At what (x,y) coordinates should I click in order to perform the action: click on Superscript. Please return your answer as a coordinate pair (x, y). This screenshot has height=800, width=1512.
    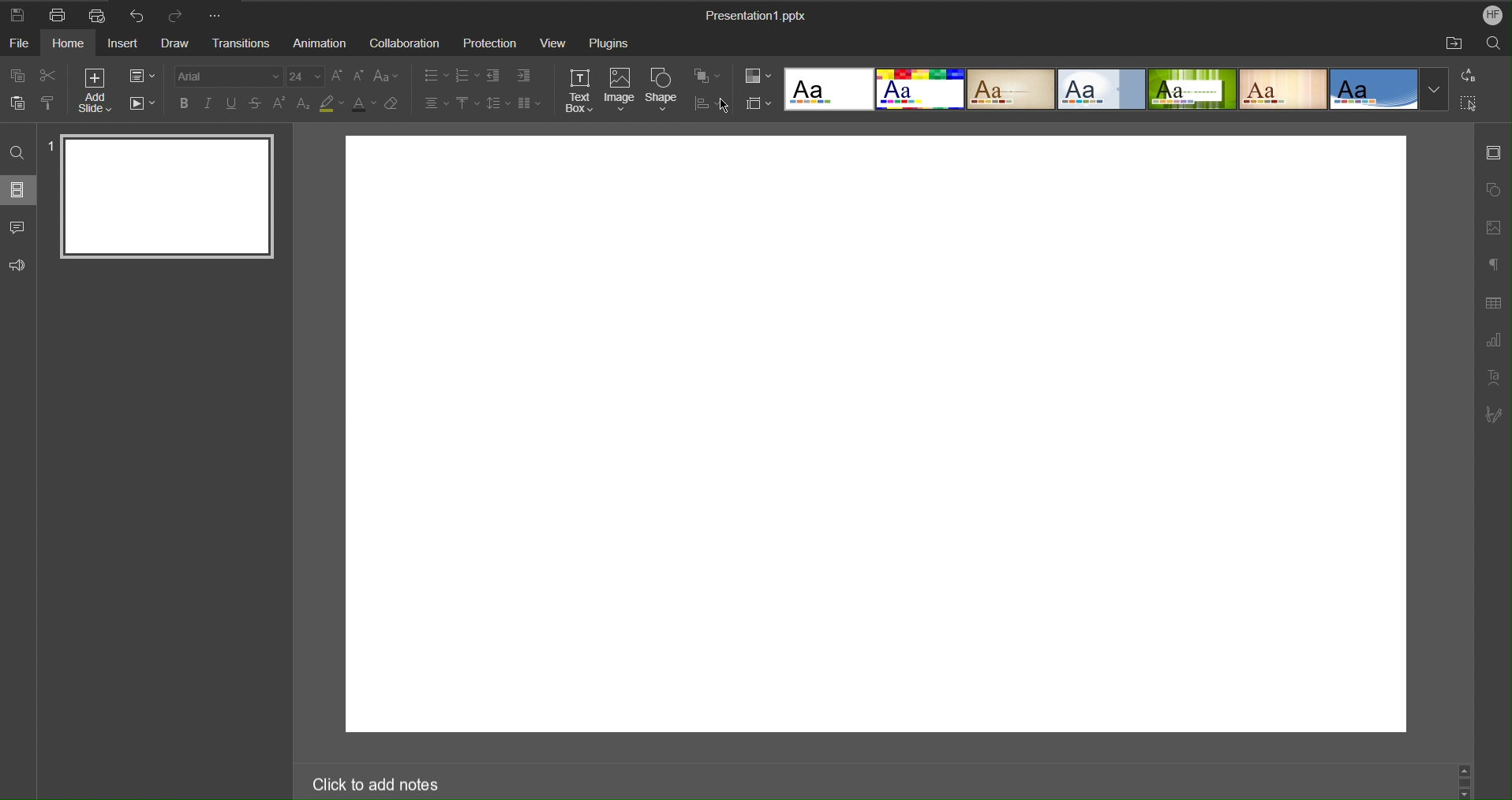
    Looking at the image, I should click on (279, 103).